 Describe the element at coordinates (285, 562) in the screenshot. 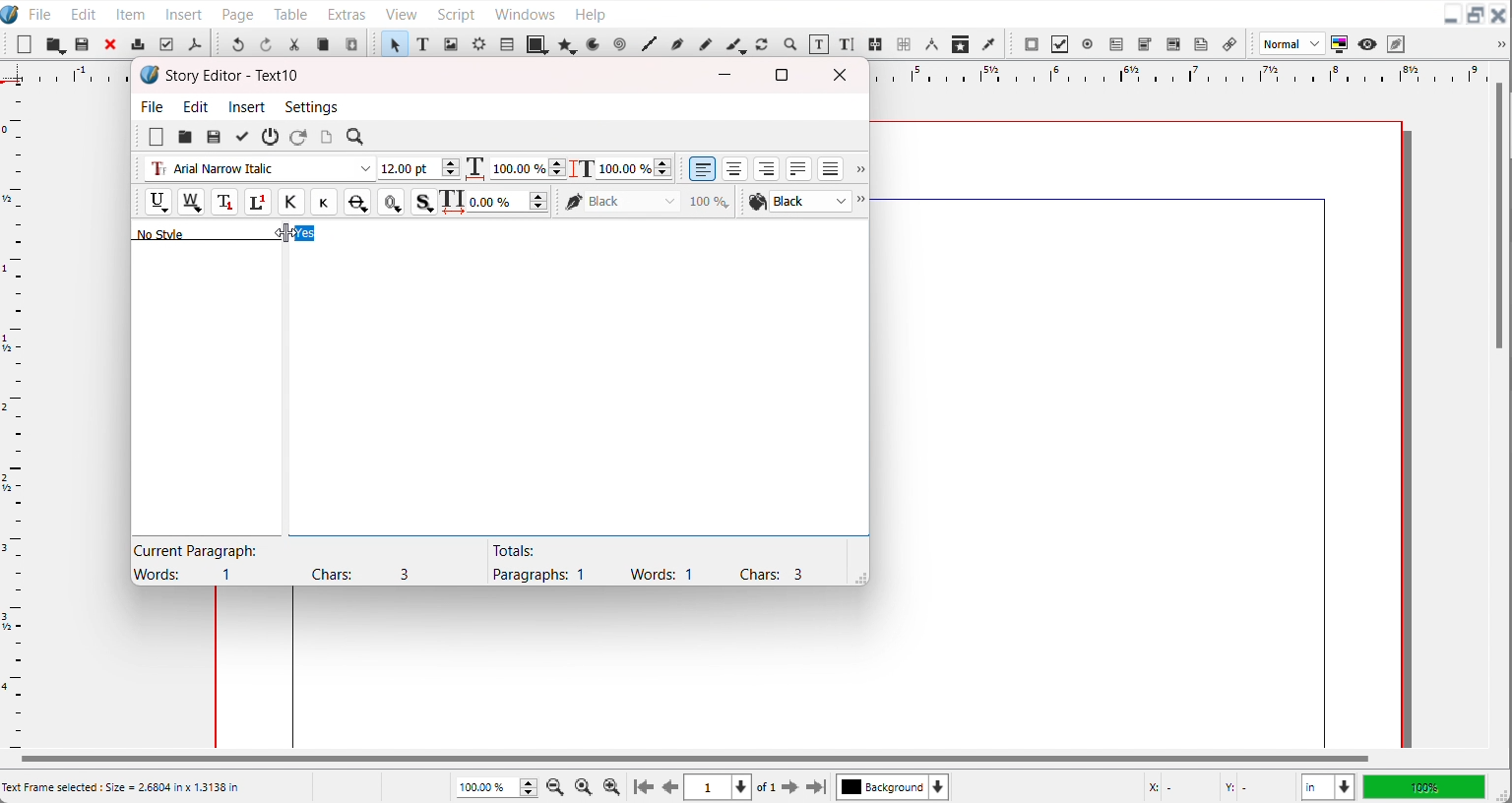

I see `Text` at that location.